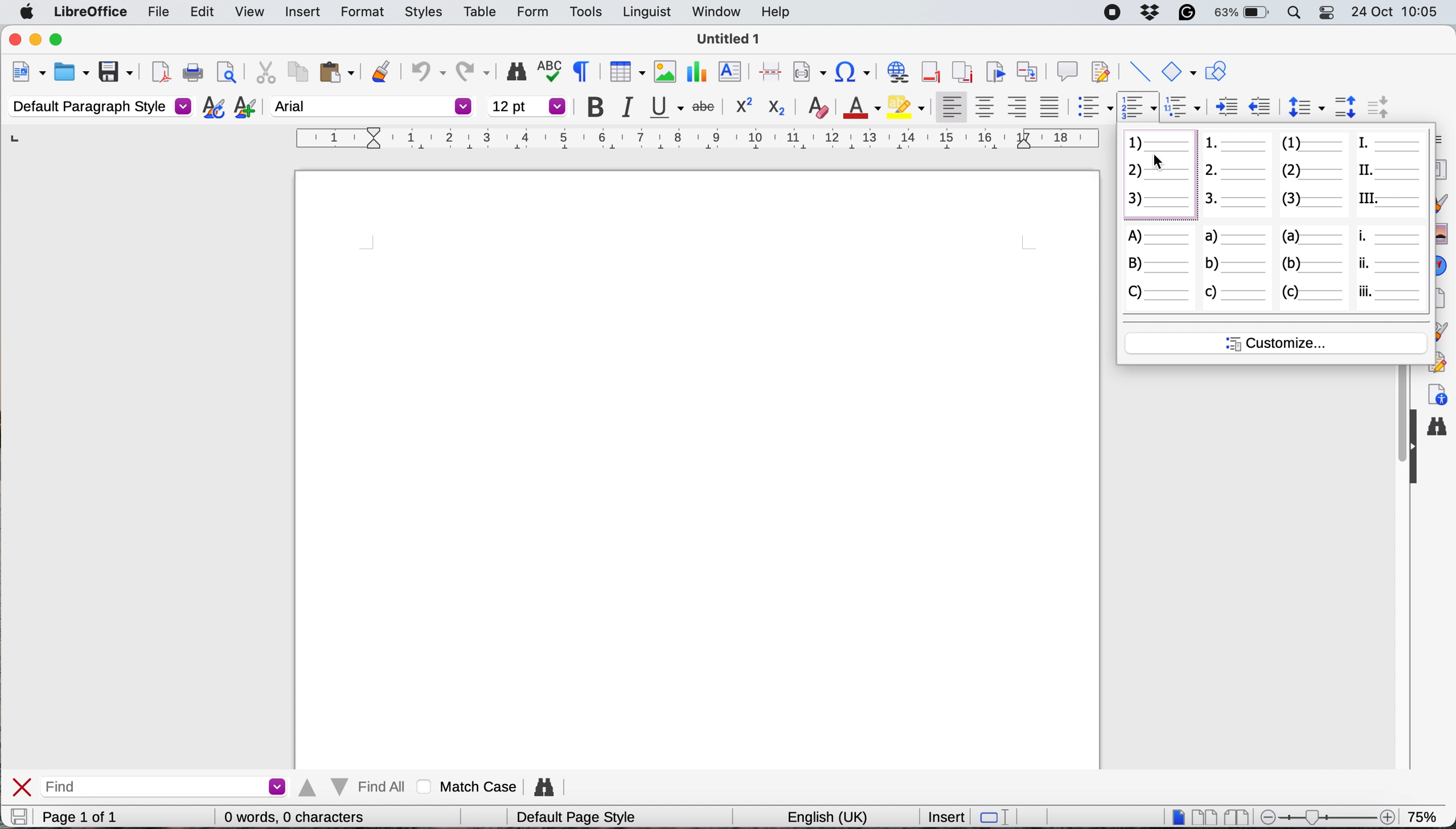  Describe the element at coordinates (706, 104) in the screenshot. I see `strike through` at that location.